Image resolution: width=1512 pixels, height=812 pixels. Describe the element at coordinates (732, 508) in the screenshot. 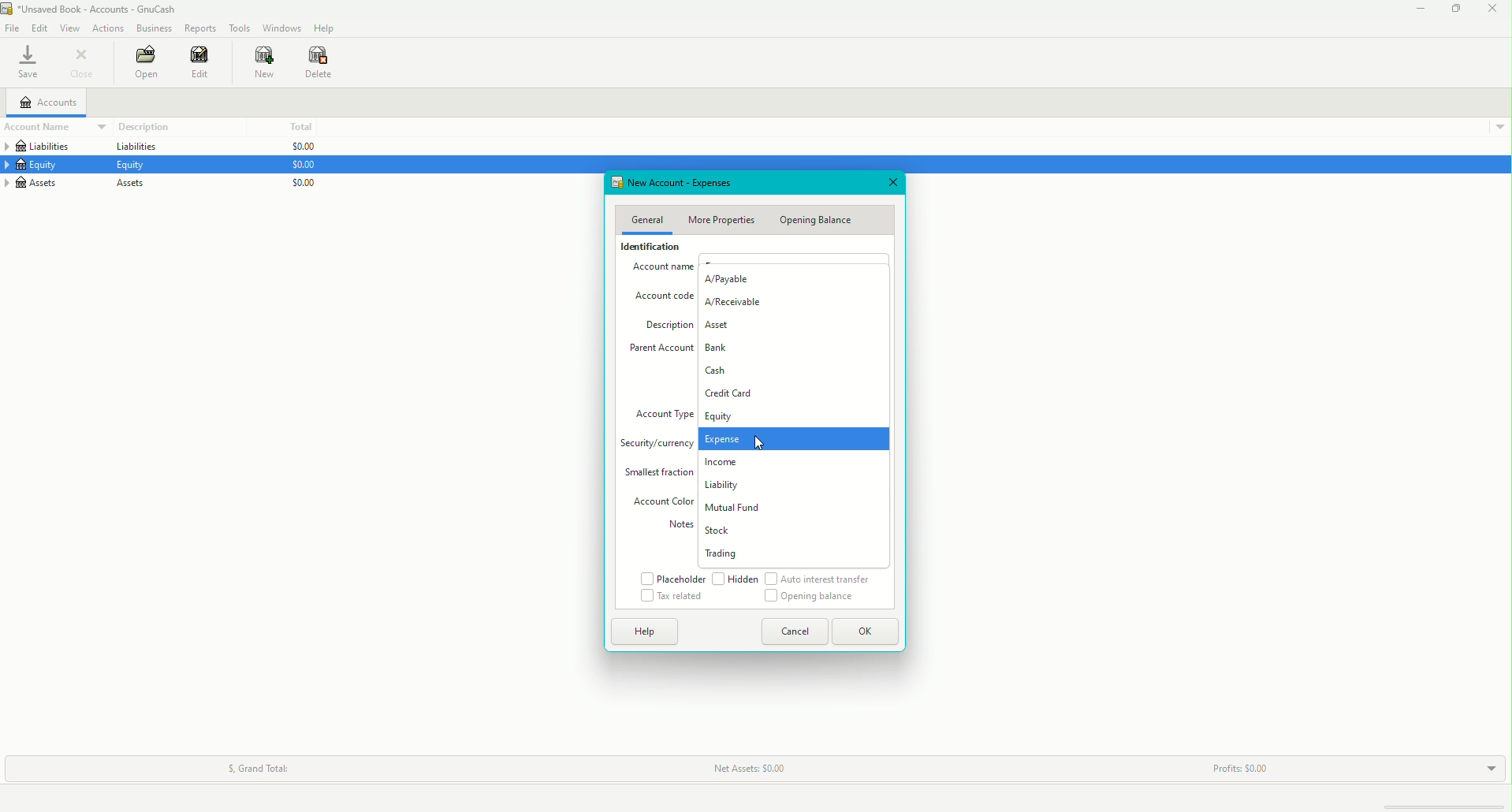

I see `Mutual Fund` at that location.